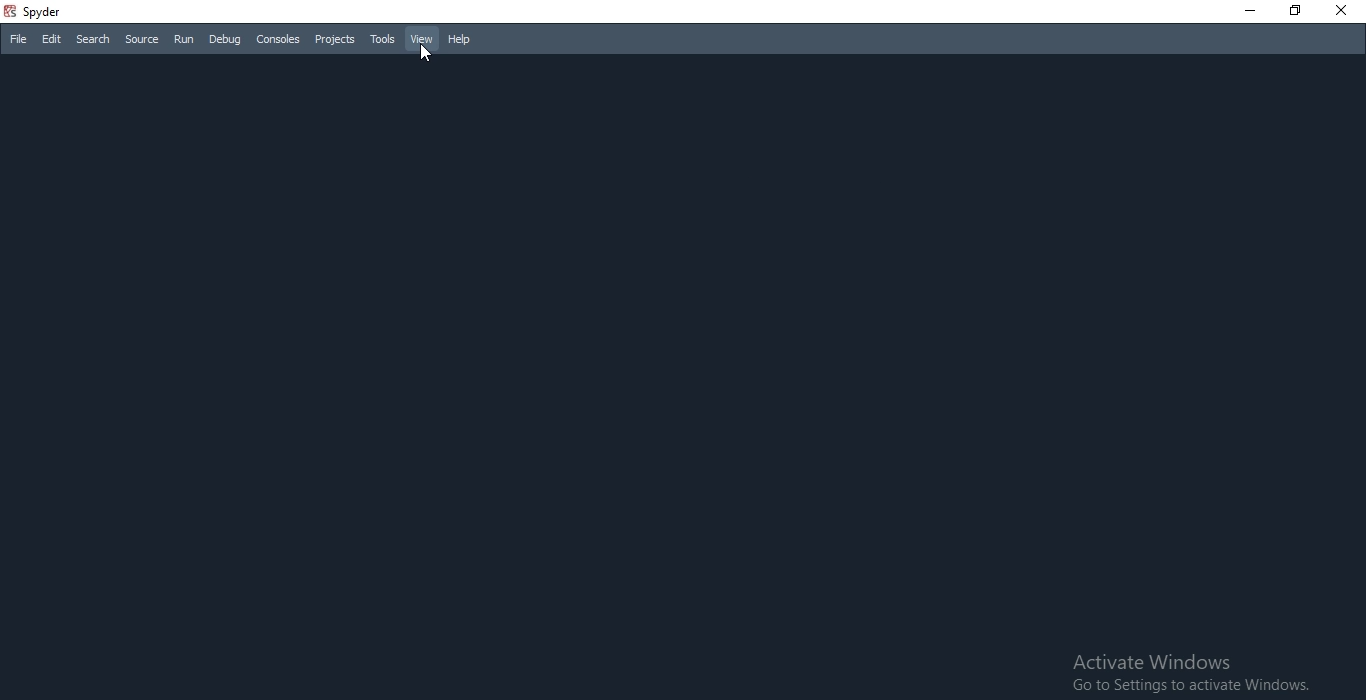  I want to click on Debug, so click(227, 41).